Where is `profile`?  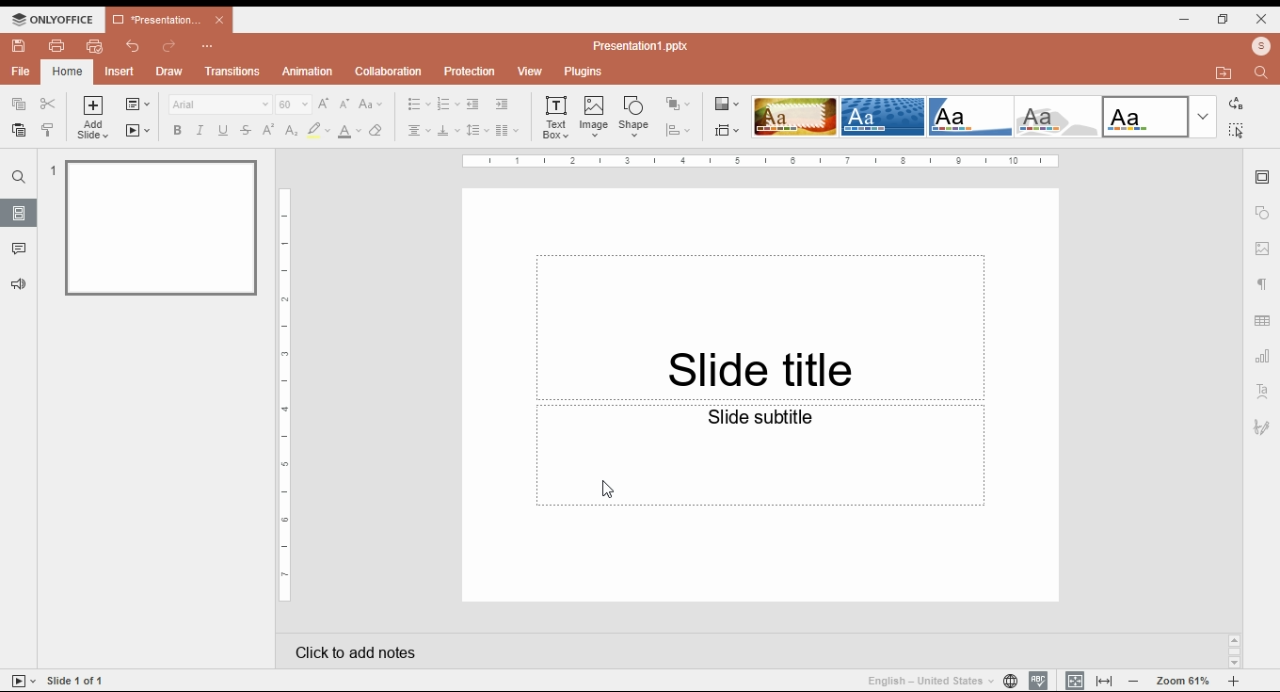 profile is located at coordinates (1261, 46).